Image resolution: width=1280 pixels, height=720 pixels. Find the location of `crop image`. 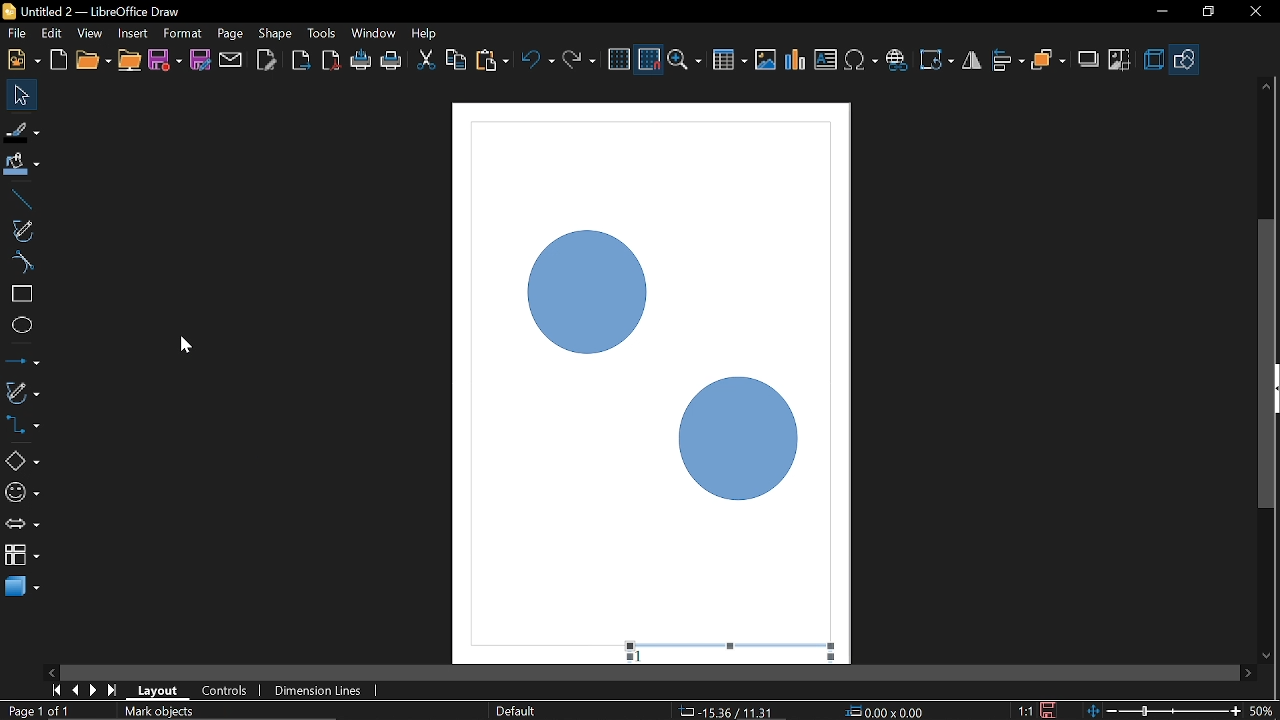

crop image is located at coordinates (1120, 61).